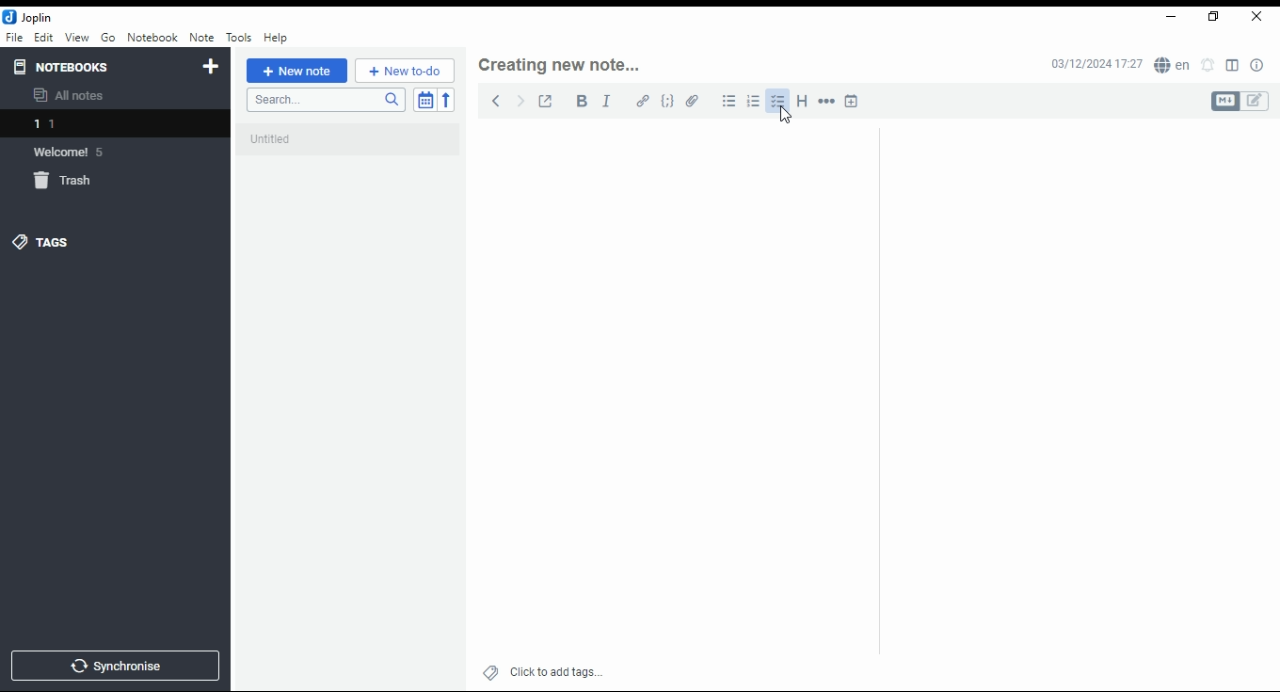 The width and height of the screenshot is (1280, 692). Describe the element at coordinates (52, 247) in the screenshot. I see `tags` at that location.